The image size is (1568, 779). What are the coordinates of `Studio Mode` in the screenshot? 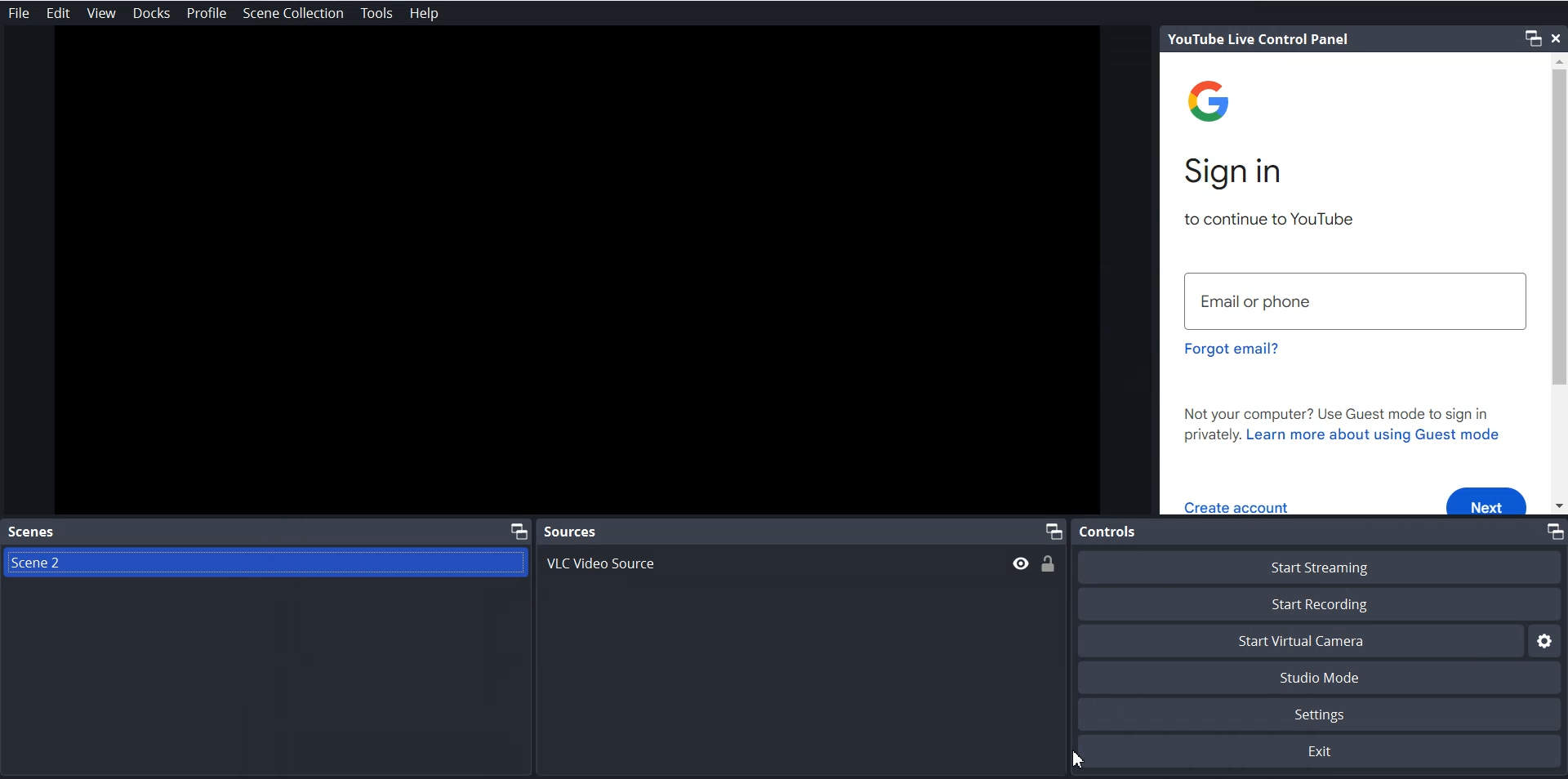 It's located at (1322, 679).